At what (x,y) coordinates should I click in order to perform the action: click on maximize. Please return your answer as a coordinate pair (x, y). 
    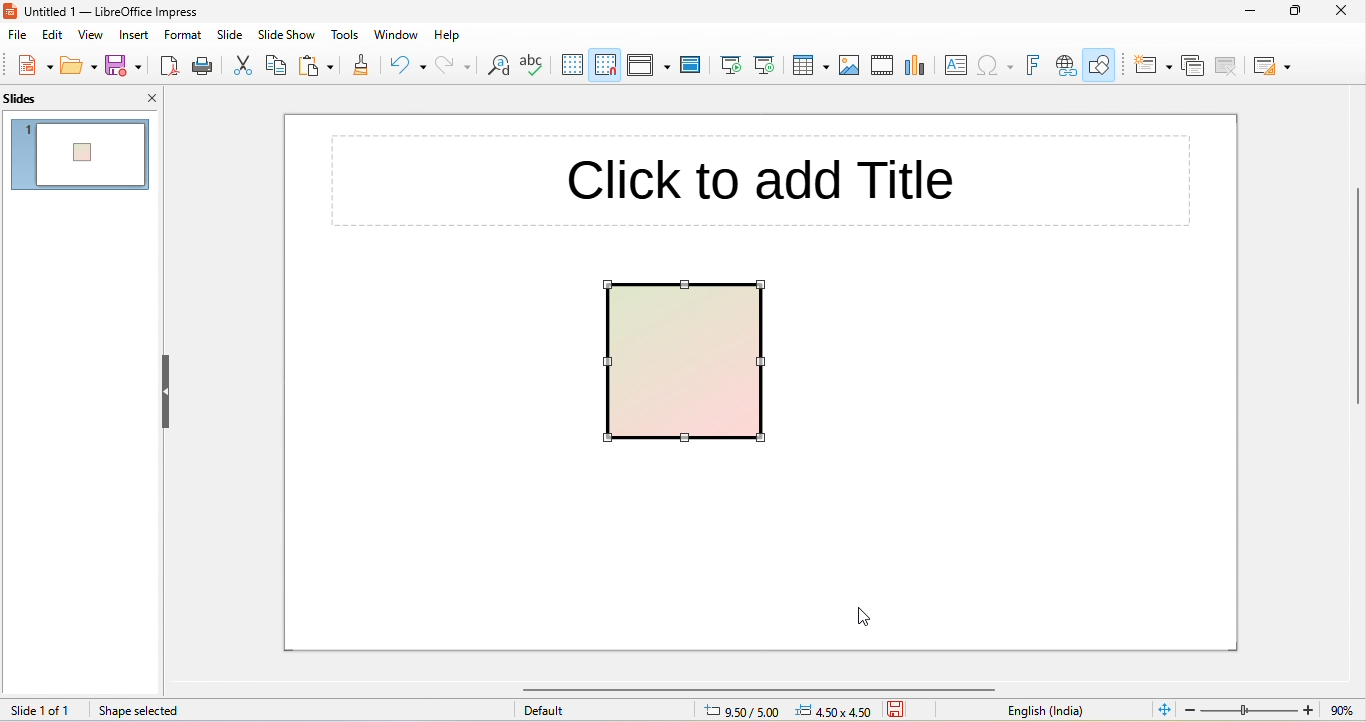
    Looking at the image, I should click on (1296, 12).